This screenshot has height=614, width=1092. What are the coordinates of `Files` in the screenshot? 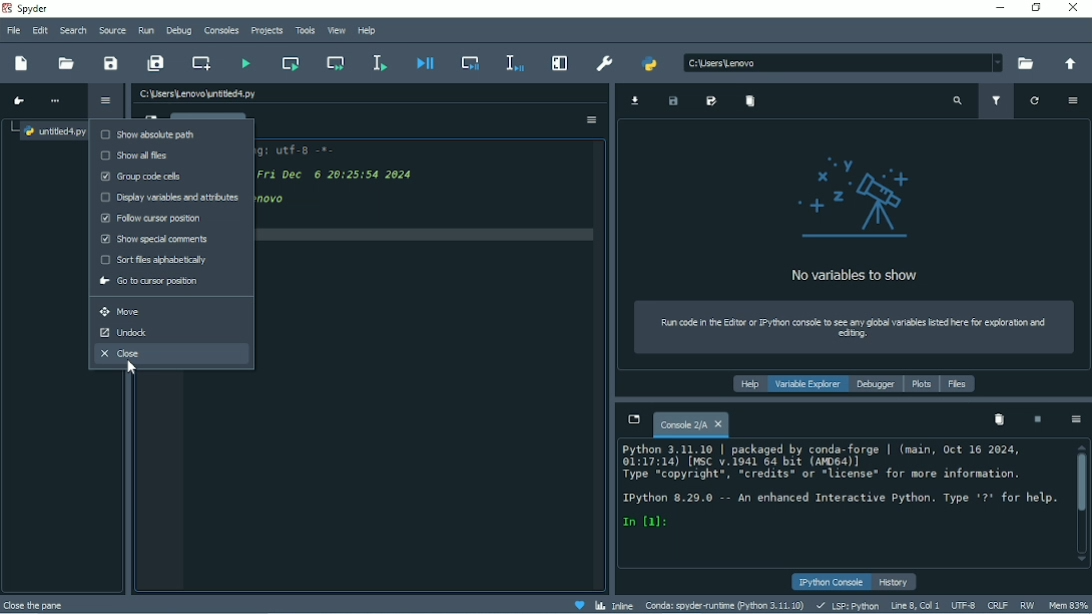 It's located at (957, 384).